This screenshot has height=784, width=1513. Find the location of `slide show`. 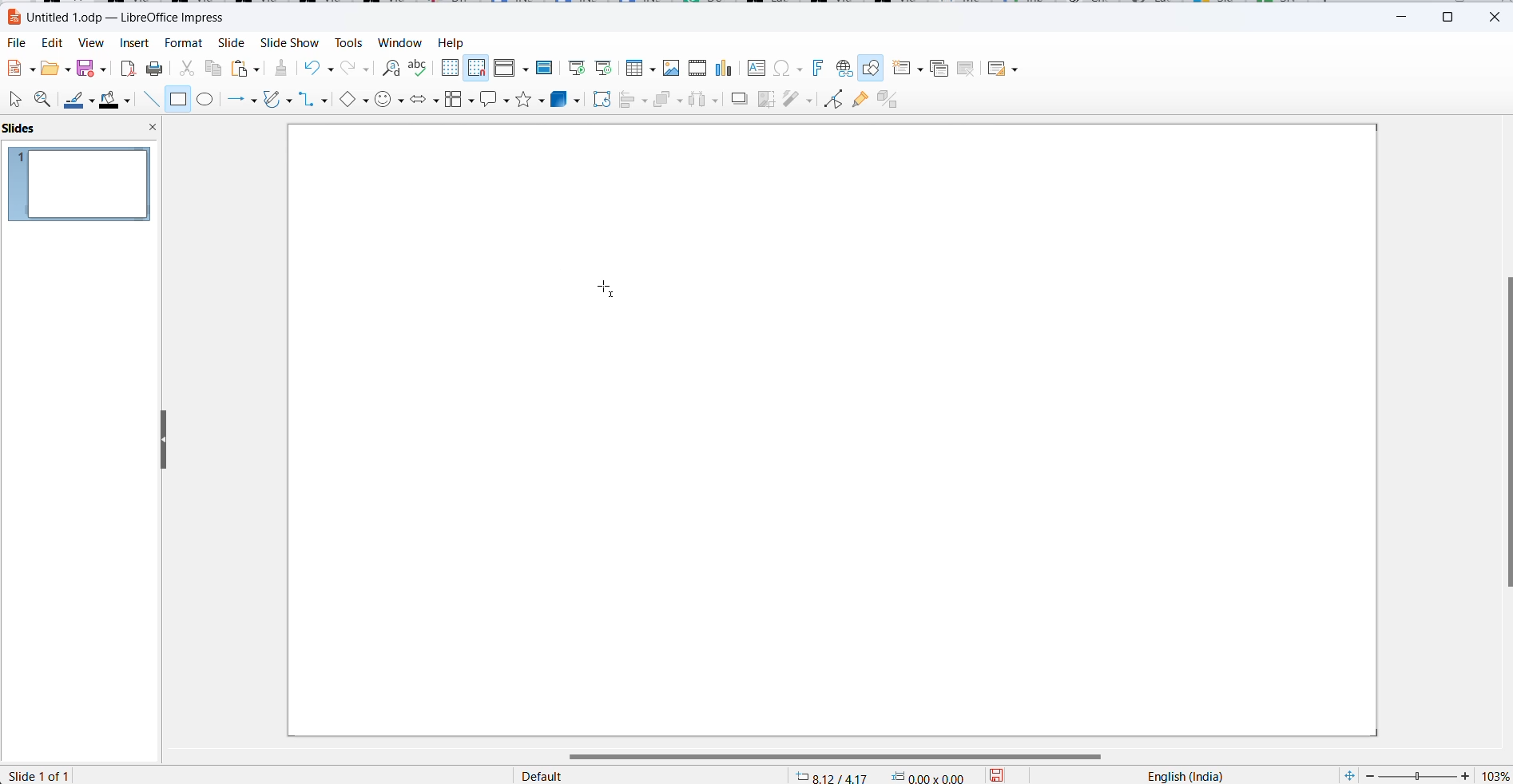

slide show is located at coordinates (288, 44).